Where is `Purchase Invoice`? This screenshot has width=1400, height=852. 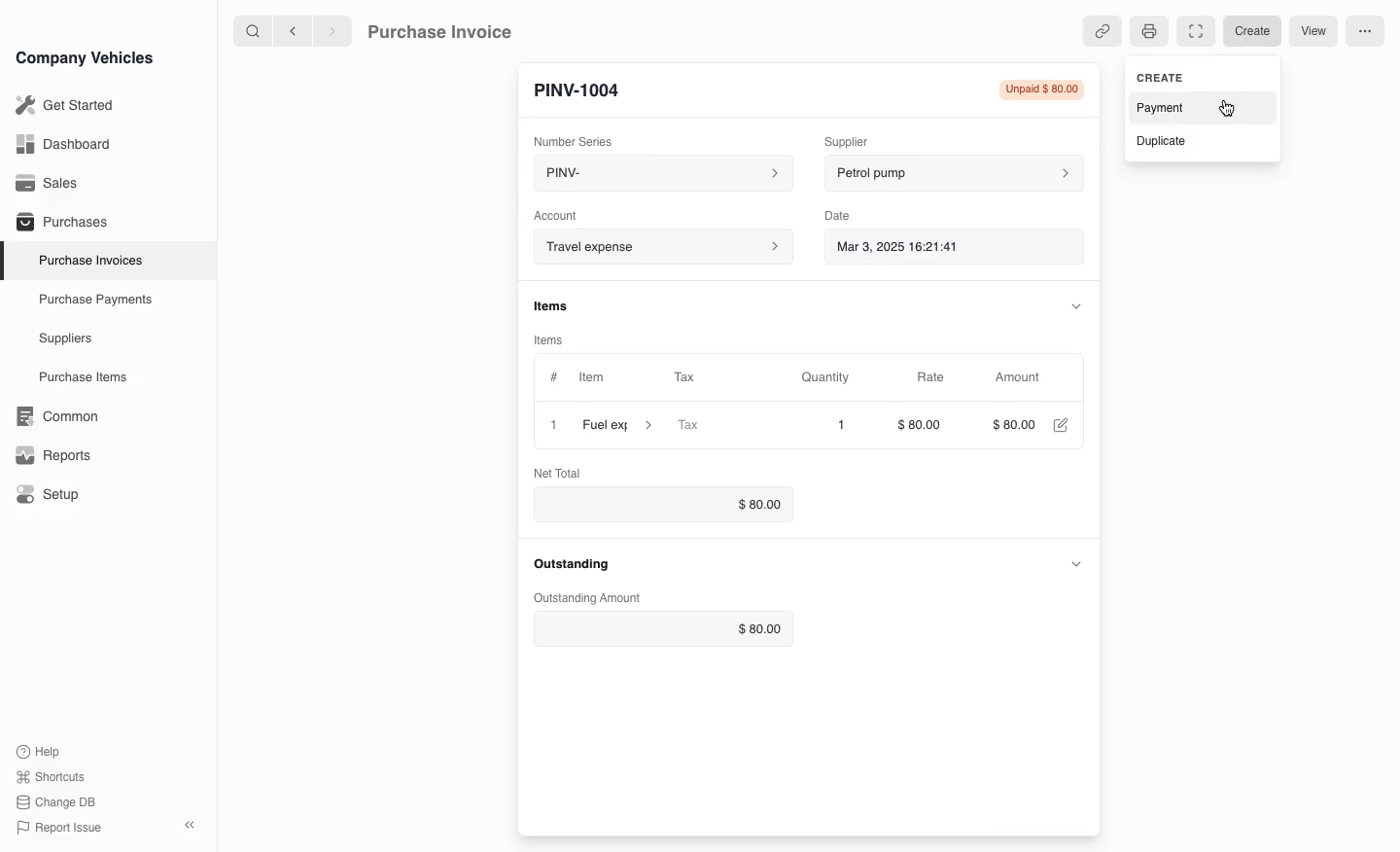
Purchase Invoice is located at coordinates (453, 30).